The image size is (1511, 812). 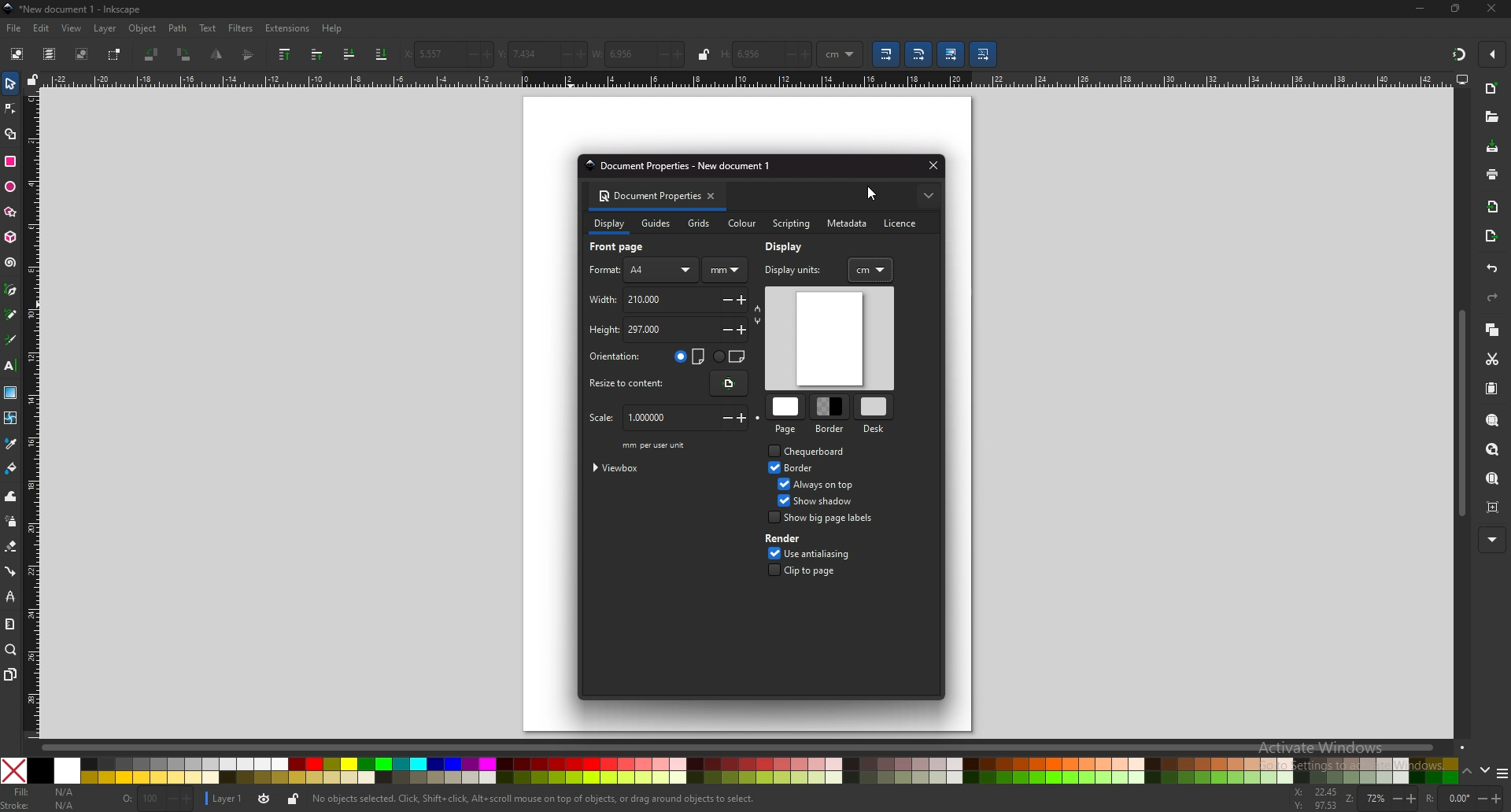 I want to click on height, so click(x=634, y=330).